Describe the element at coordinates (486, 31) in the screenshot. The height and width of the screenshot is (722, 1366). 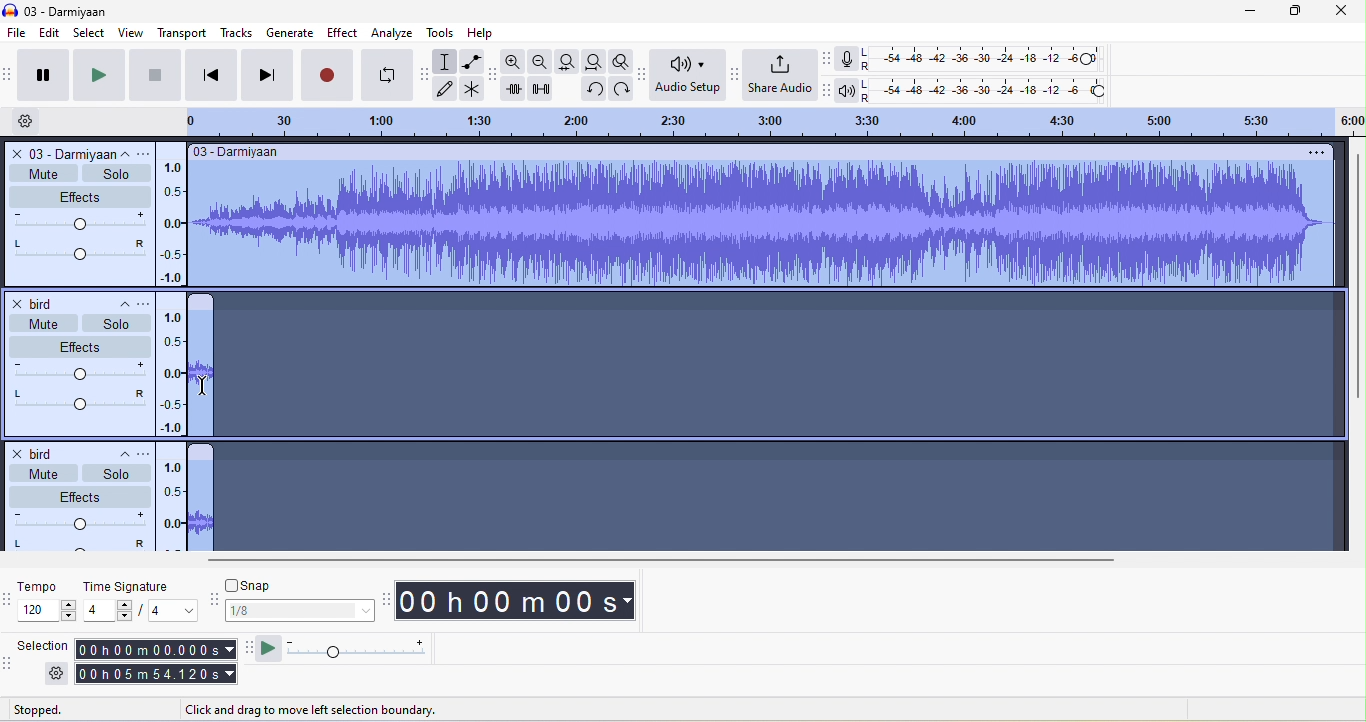
I see `help` at that location.